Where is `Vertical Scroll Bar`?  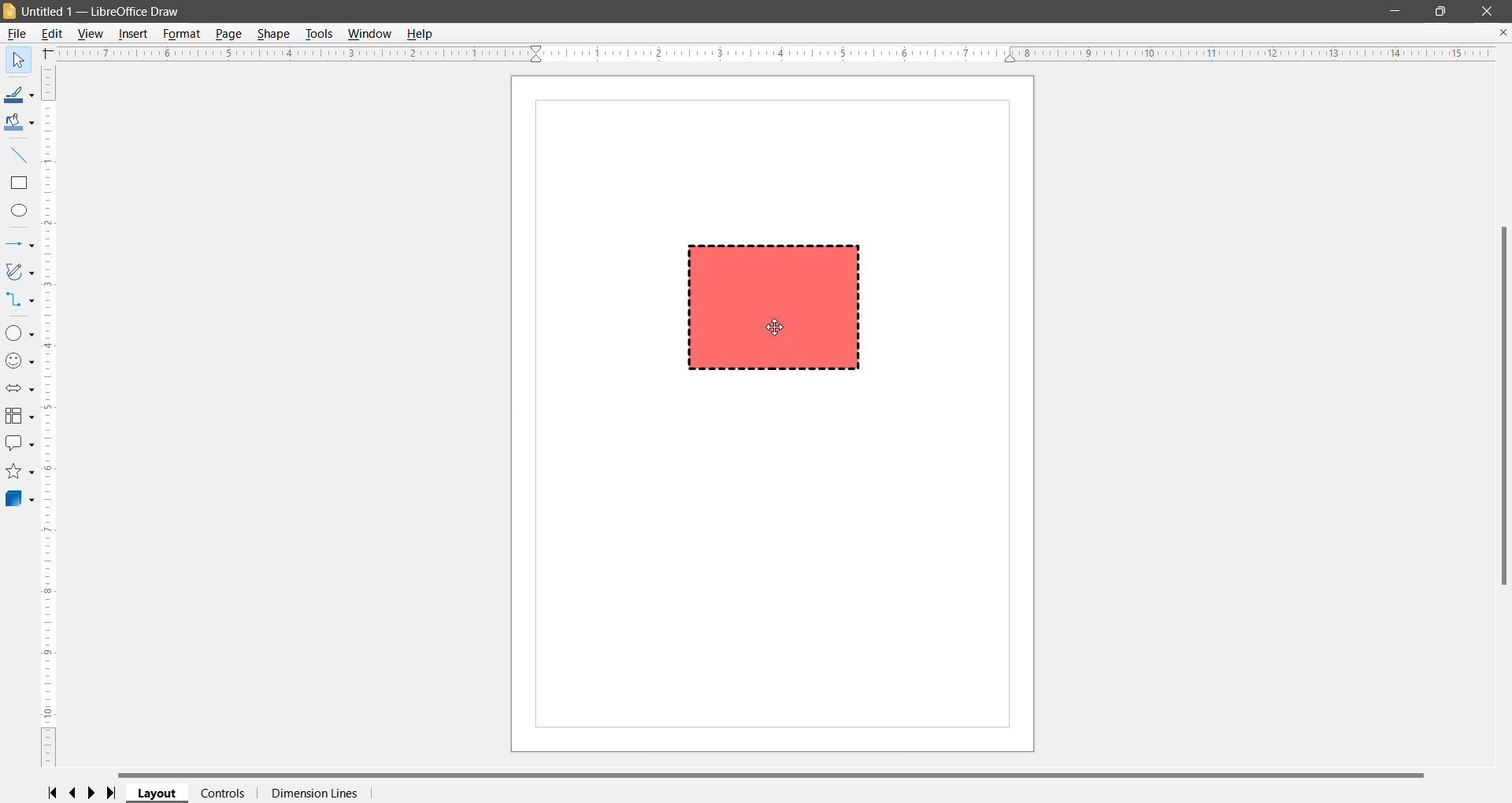 Vertical Scroll Bar is located at coordinates (1503, 406).